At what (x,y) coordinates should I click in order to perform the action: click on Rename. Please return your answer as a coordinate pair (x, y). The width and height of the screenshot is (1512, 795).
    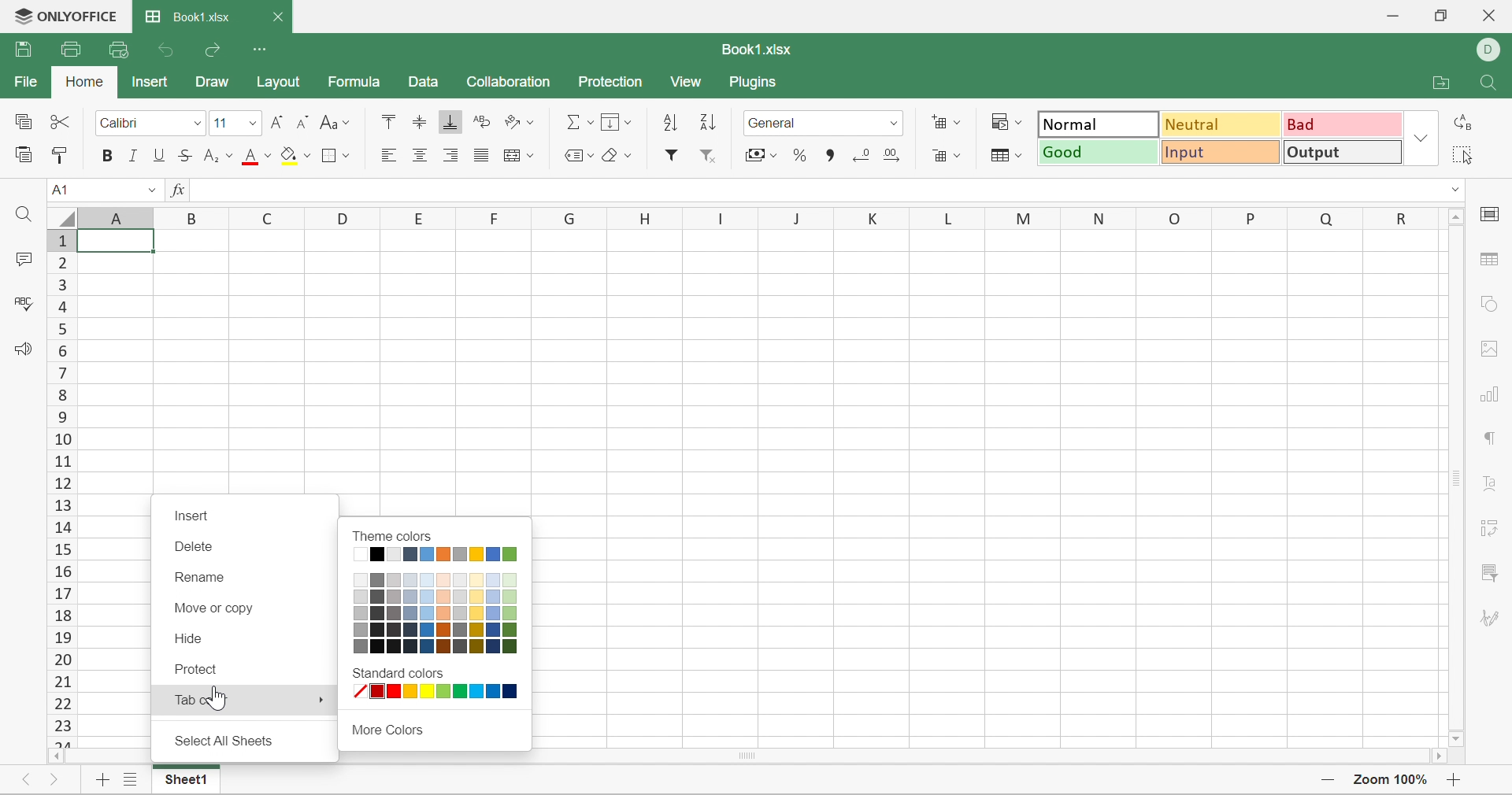
    Looking at the image, I should click on (201, 580).